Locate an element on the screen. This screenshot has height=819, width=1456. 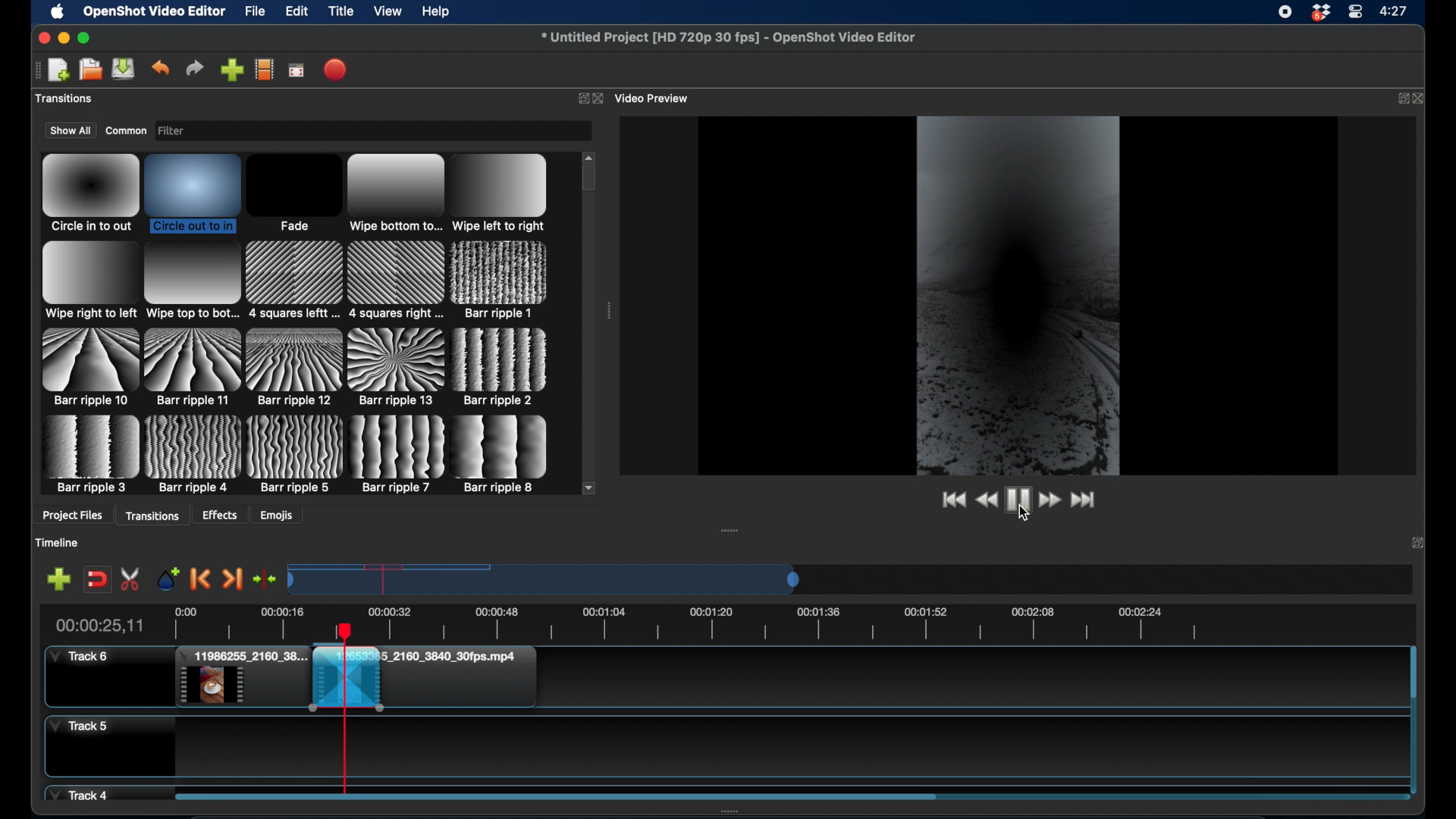
next marker is located at coordinates (232, 579).